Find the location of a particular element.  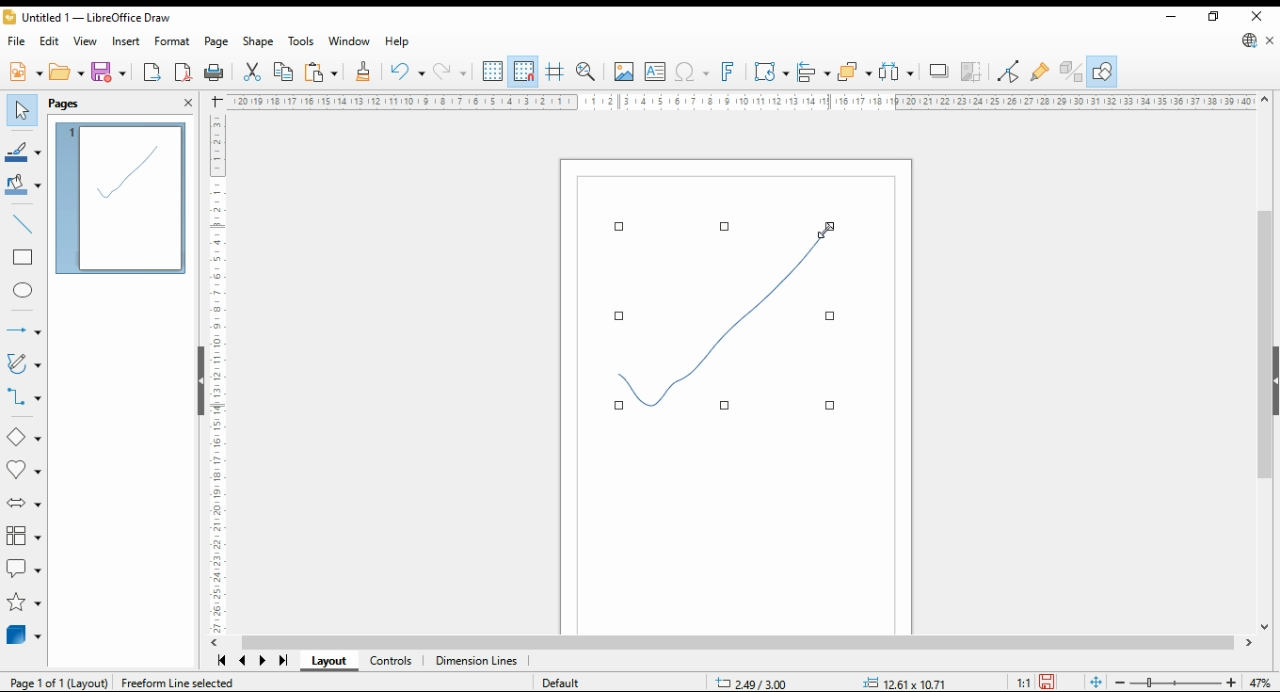

icon and file name is located at coordinates (88, 17).